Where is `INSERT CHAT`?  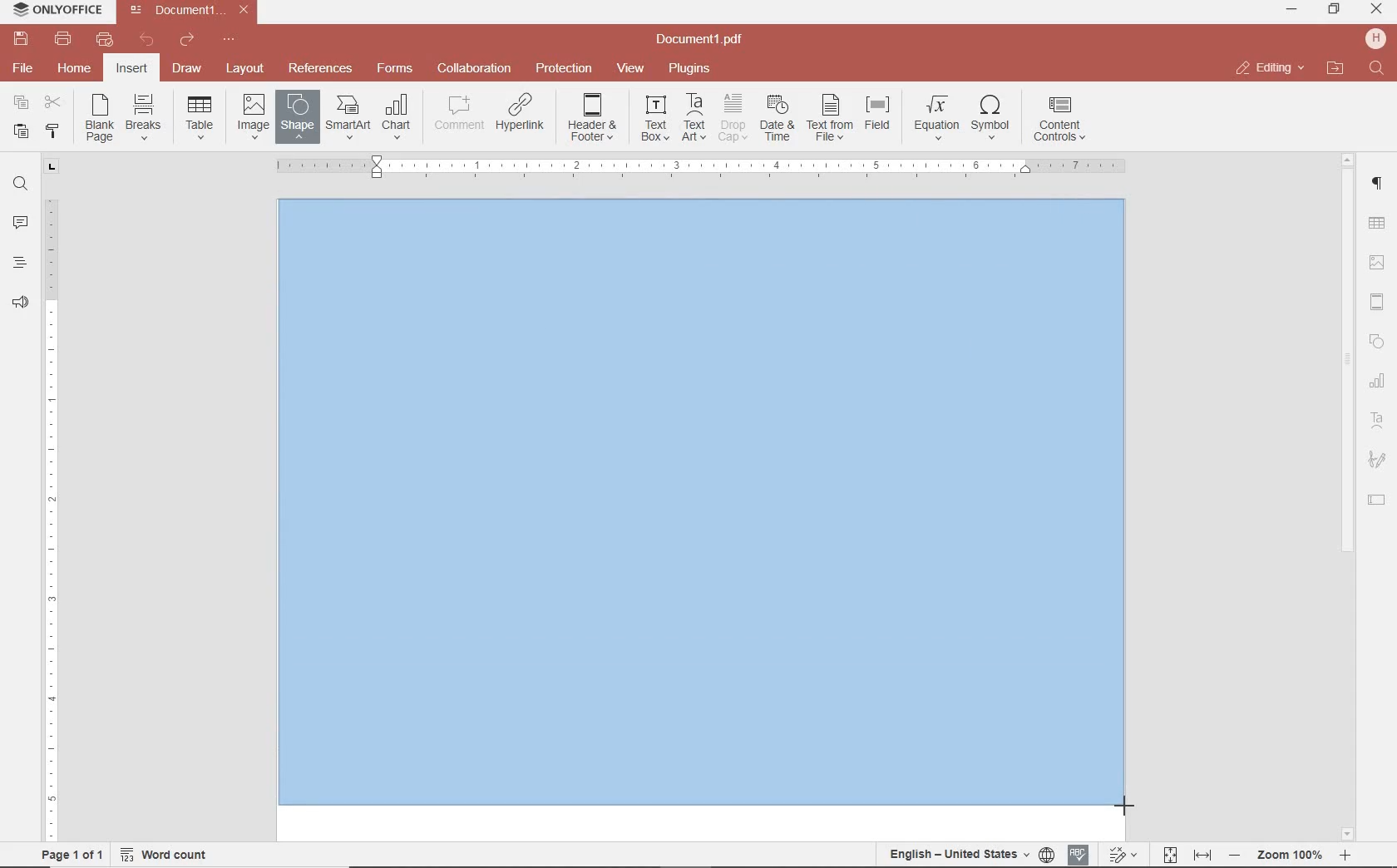 INSERT CHAT is located at coordinates (397, 118).